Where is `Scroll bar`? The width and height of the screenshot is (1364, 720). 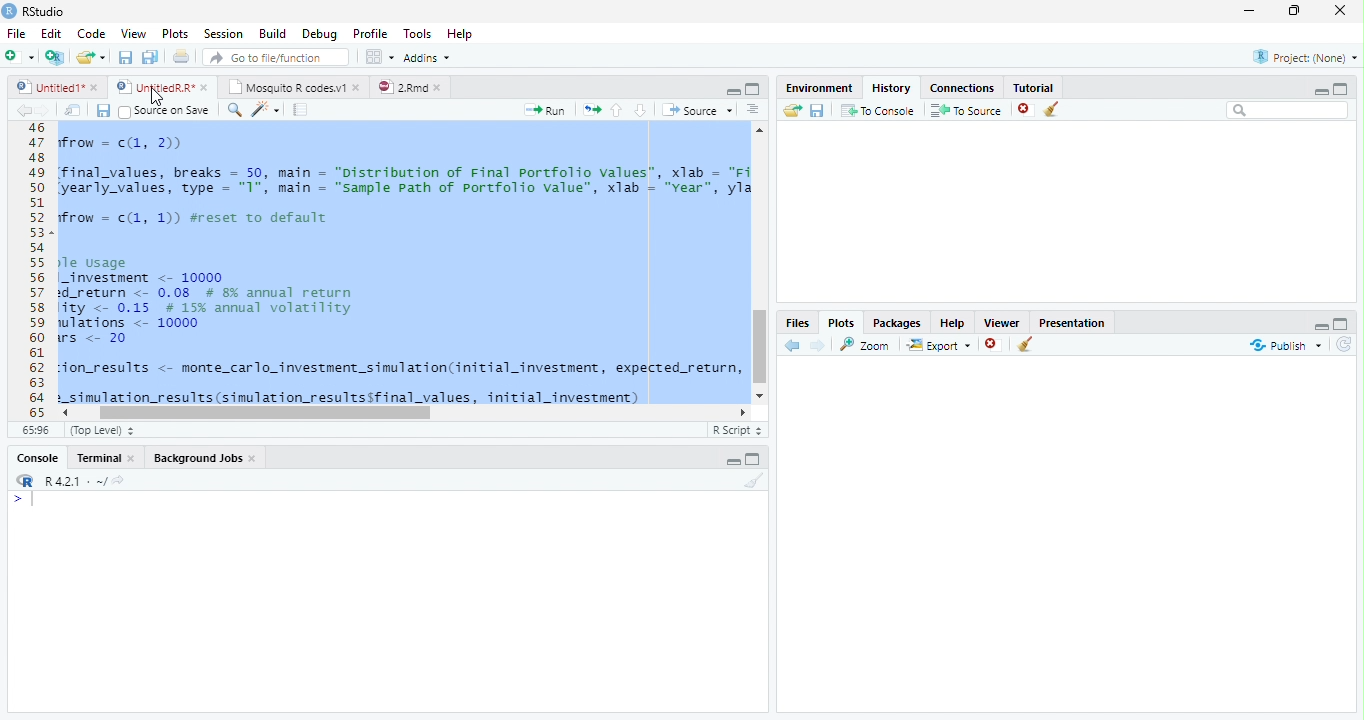
Scroll bar is located at coordinates (269, 412).